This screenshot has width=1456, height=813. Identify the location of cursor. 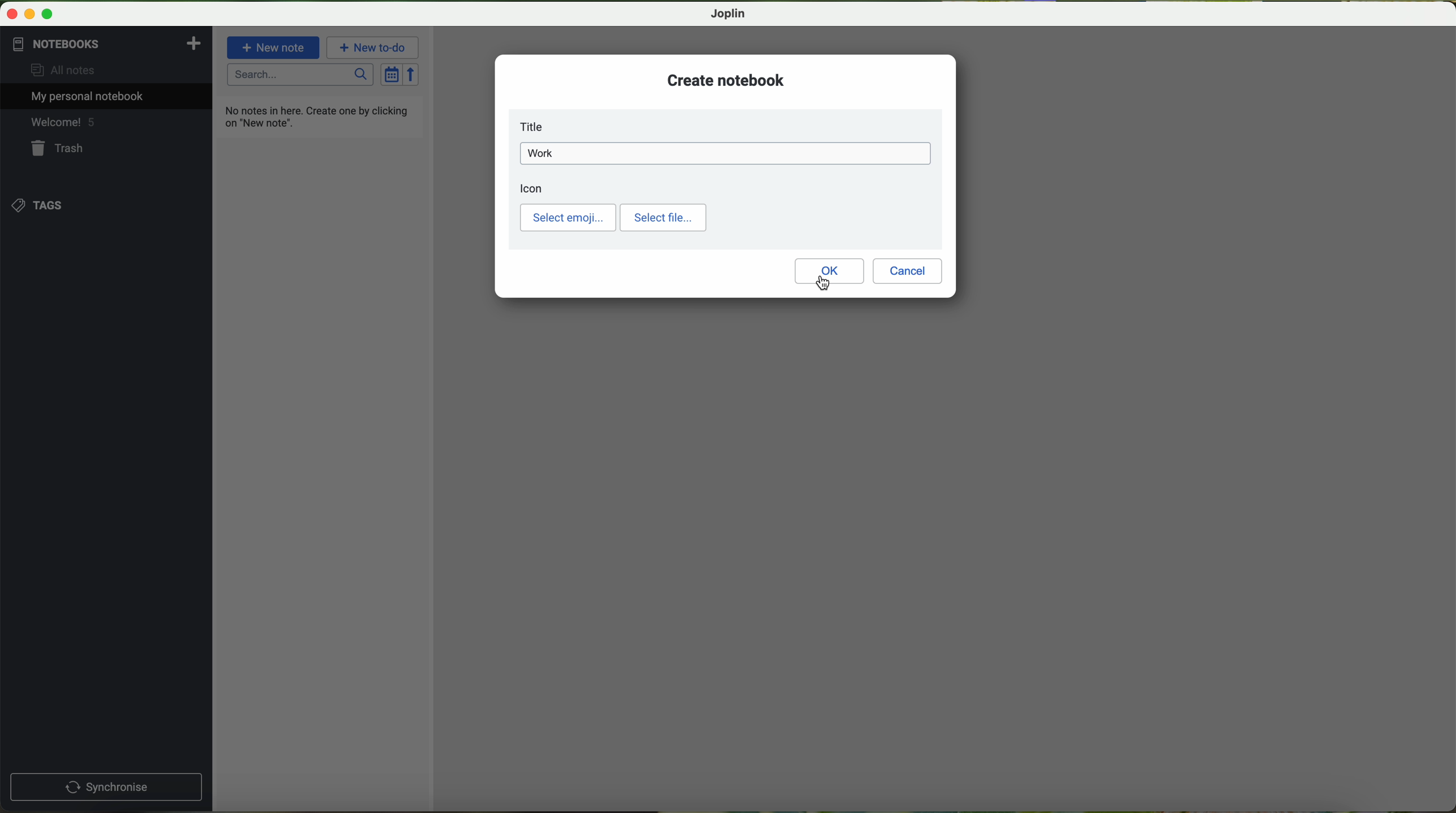
(823, 282).